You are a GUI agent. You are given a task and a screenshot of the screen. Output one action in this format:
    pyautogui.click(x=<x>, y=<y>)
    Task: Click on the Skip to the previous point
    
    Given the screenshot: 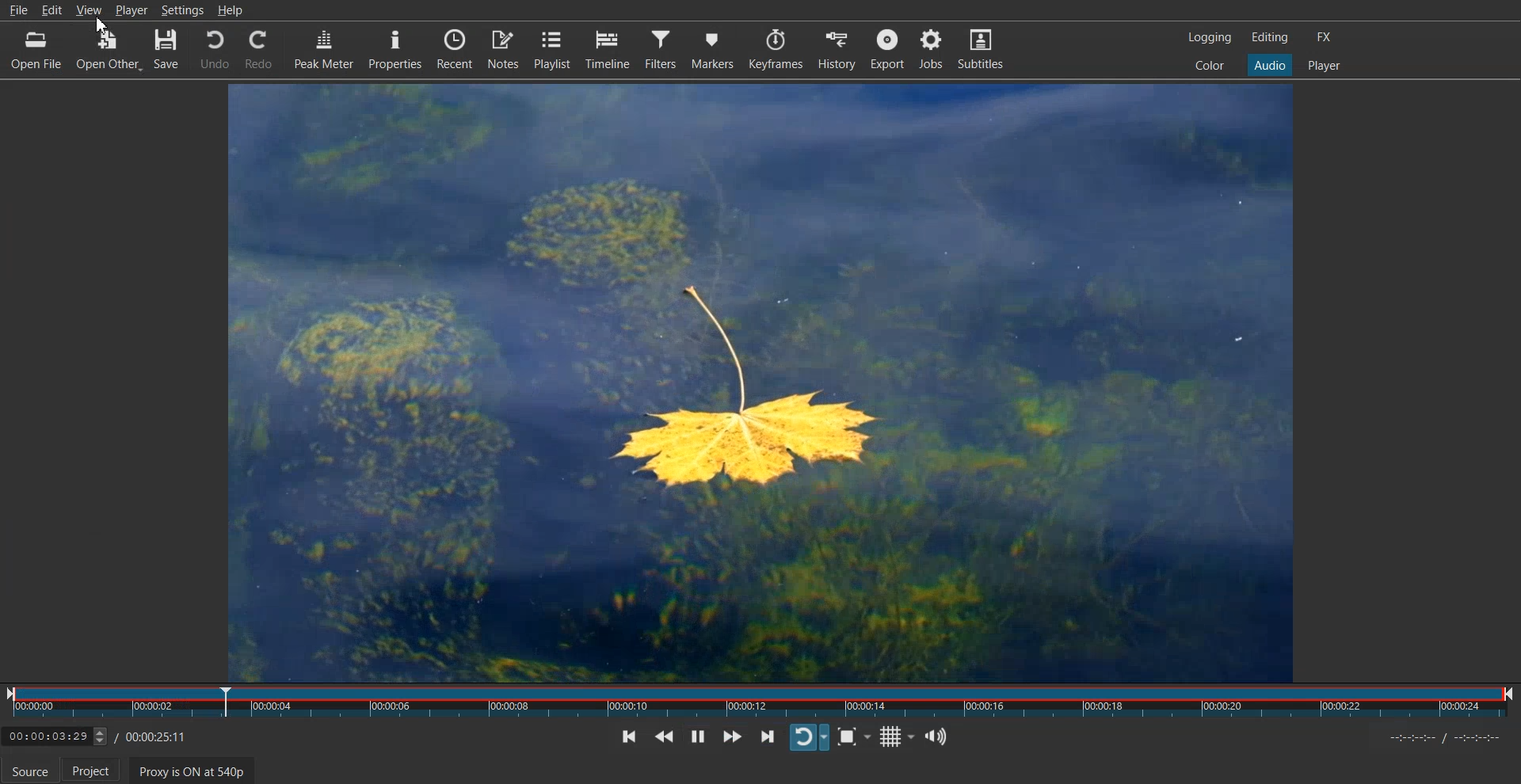 What is the action you would take?
    pyautogui.click(x=627, y=736)
    